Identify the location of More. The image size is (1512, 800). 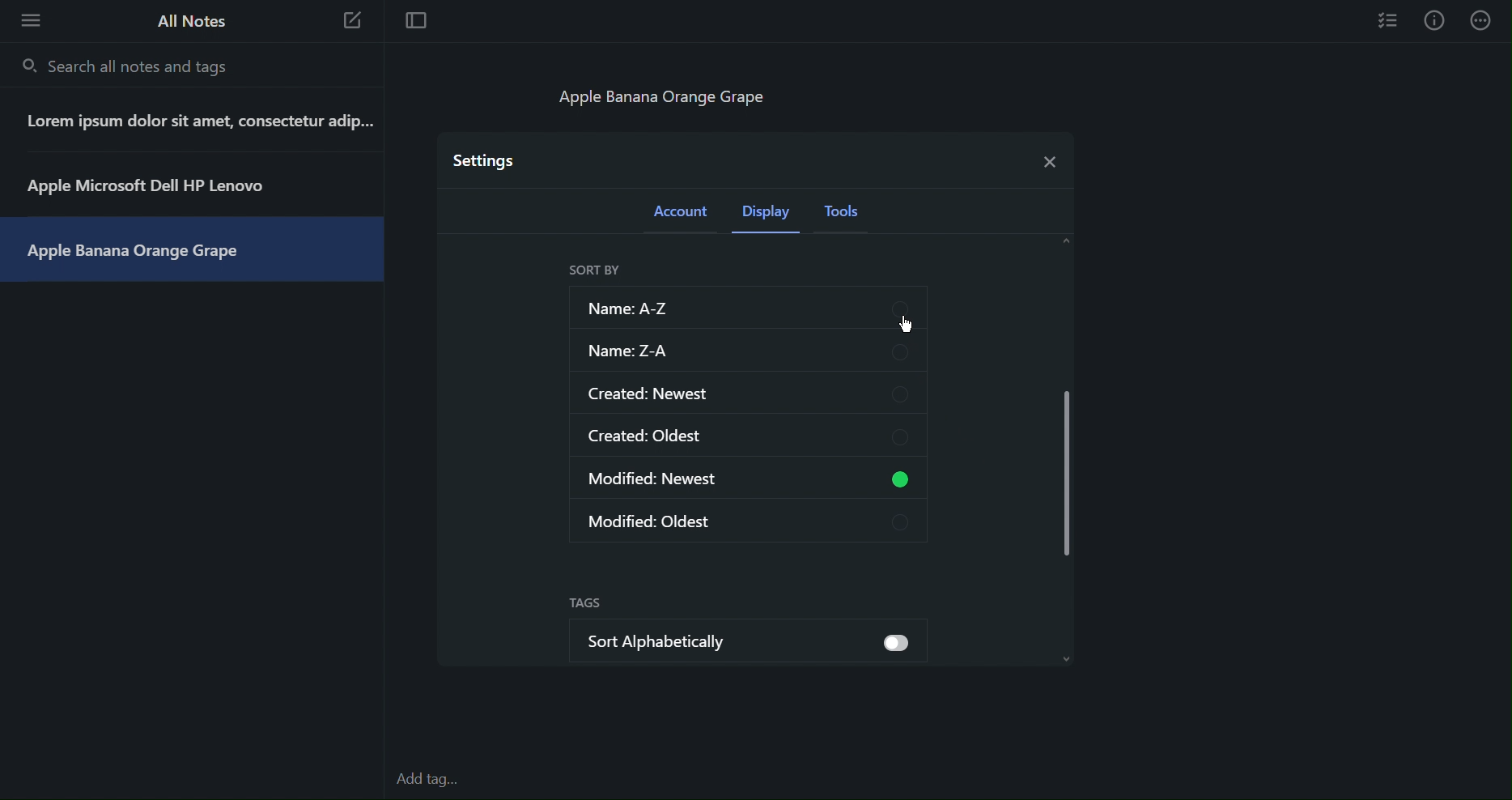
(1483, 20).